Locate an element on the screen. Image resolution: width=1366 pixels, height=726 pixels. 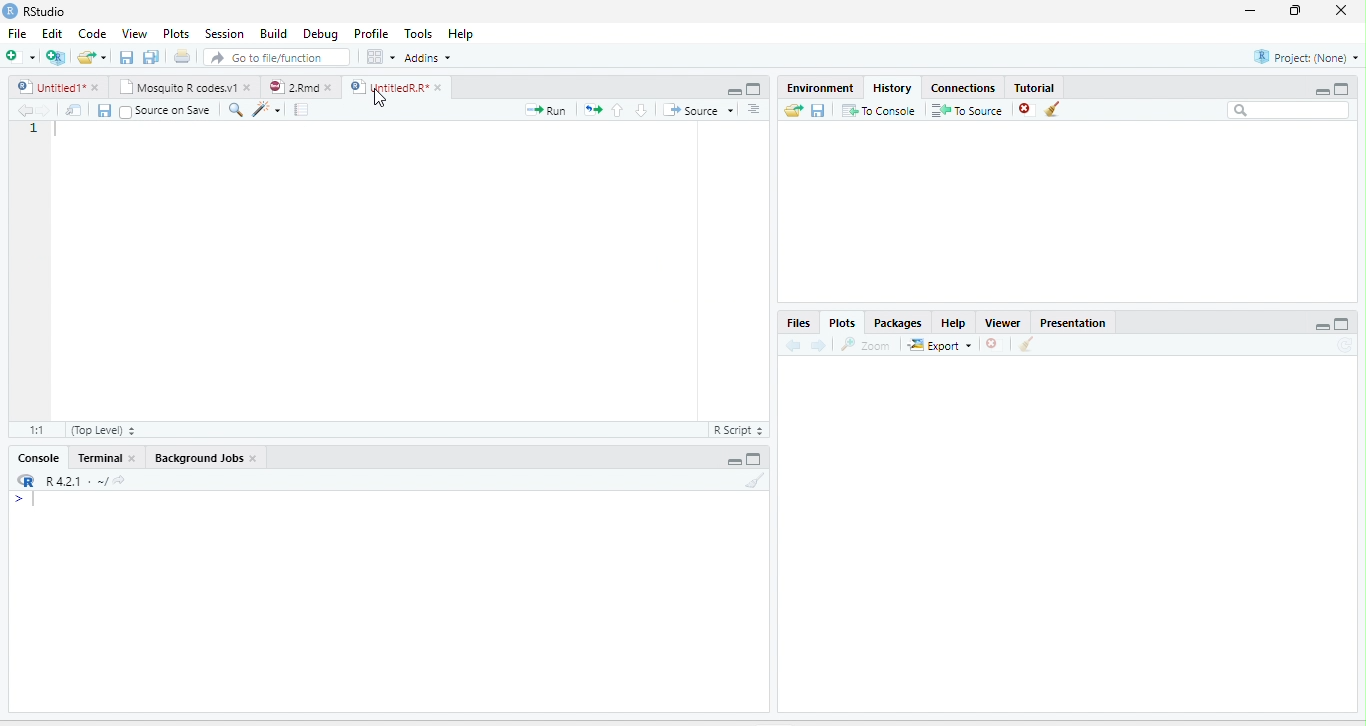
Profile is located at coordinates (369, 34).